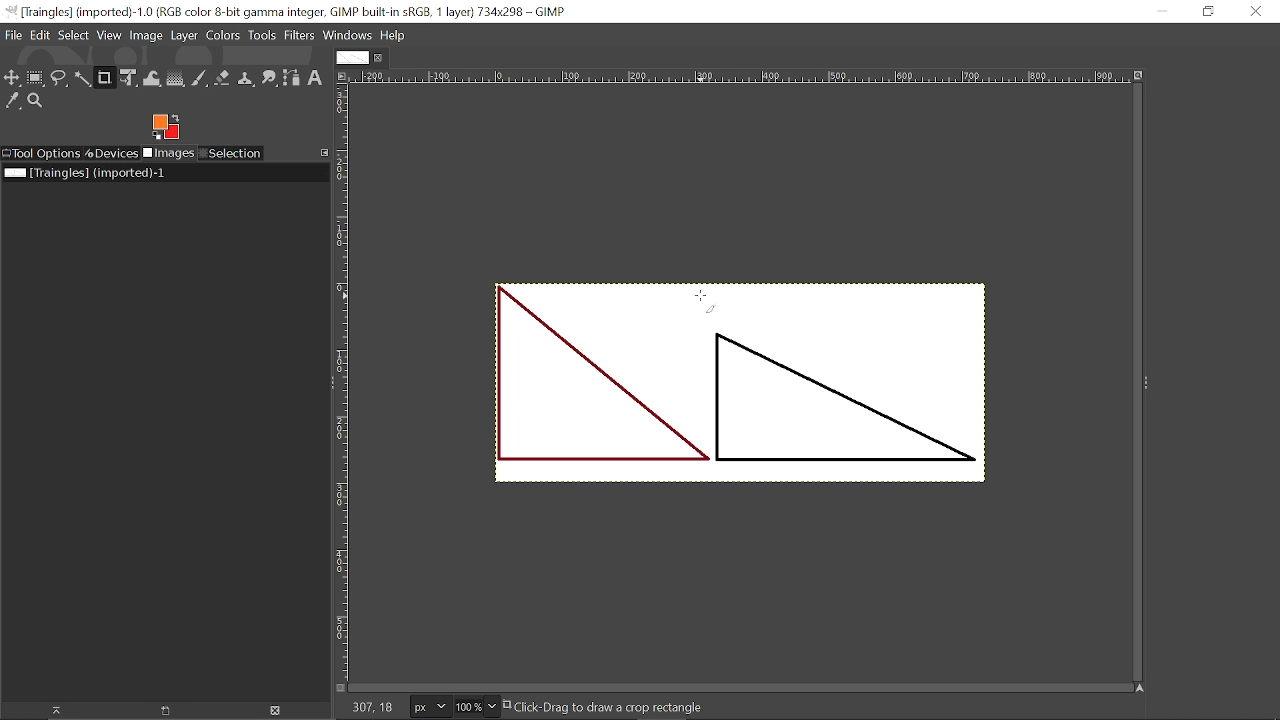 The width and height of the screenshot is (1280, 720). Describe the element at coordinates (83, 80) in the screenshot. I see `Fuzzy select tool` at that location.